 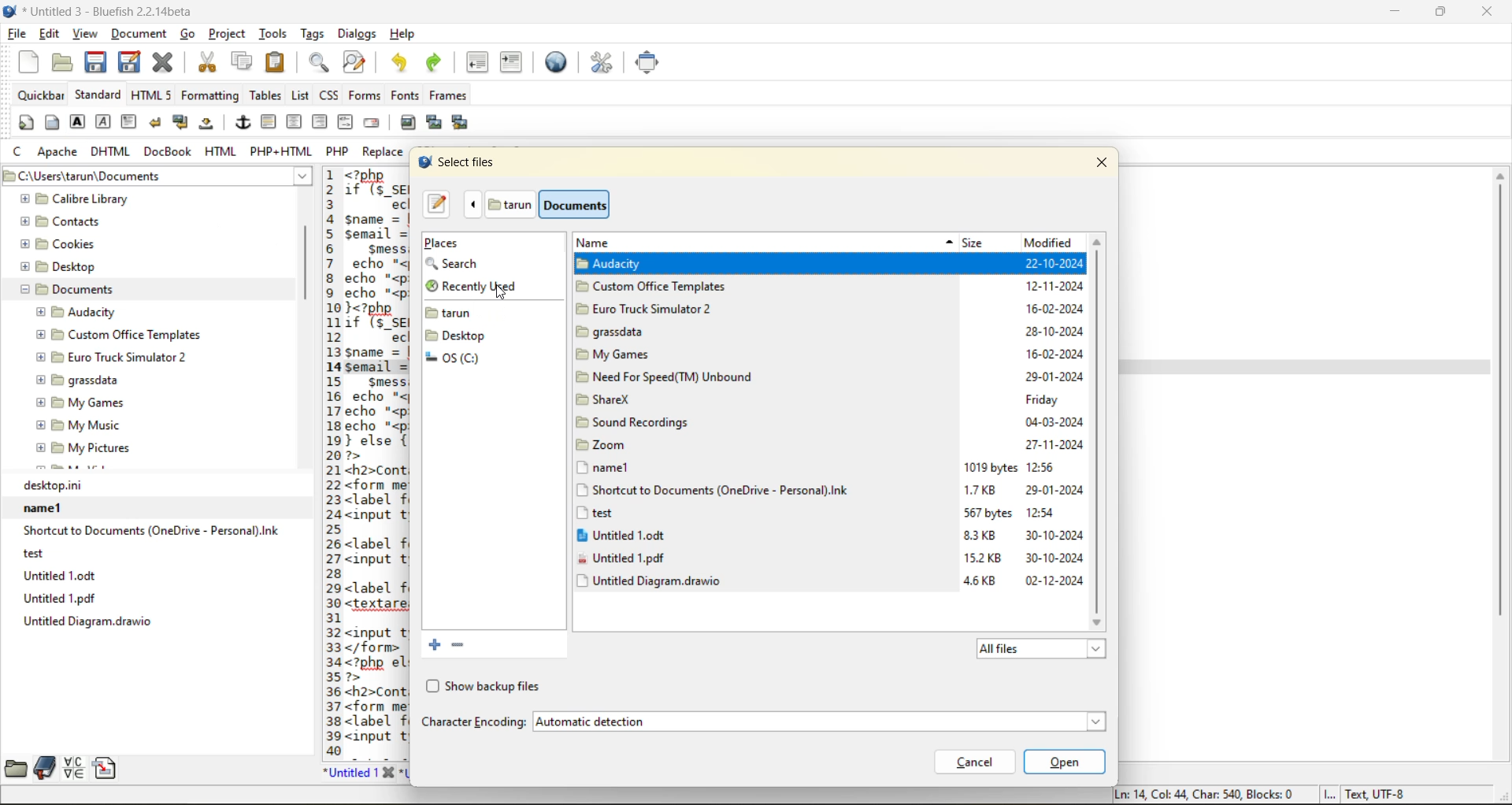 What do you see at coordinates (240, 62) in the screenshot?
I see `copy` at bounding box center [240, 62].